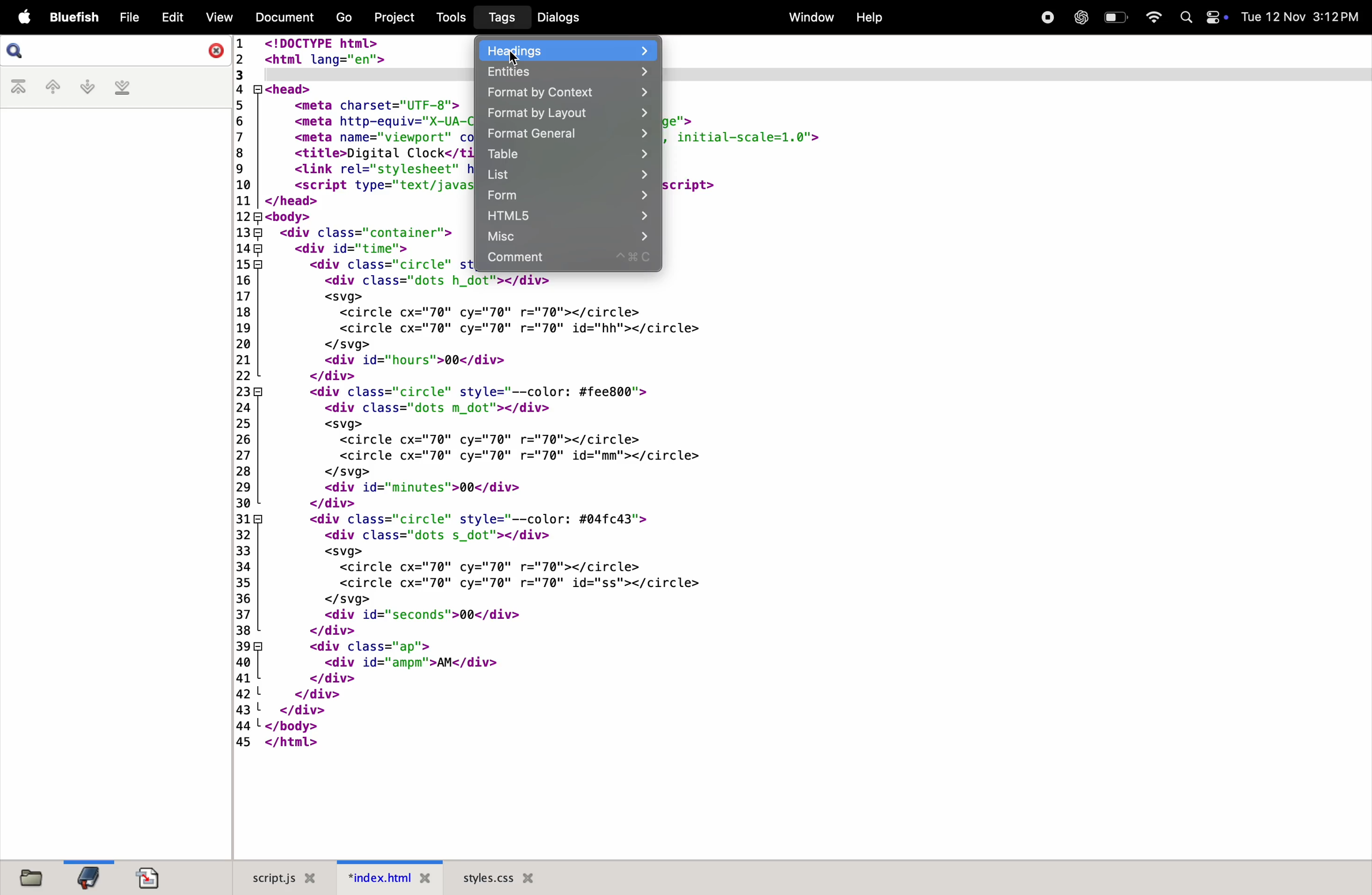 The image size is (1372, 895). I want to click on document, so click(149, 878).